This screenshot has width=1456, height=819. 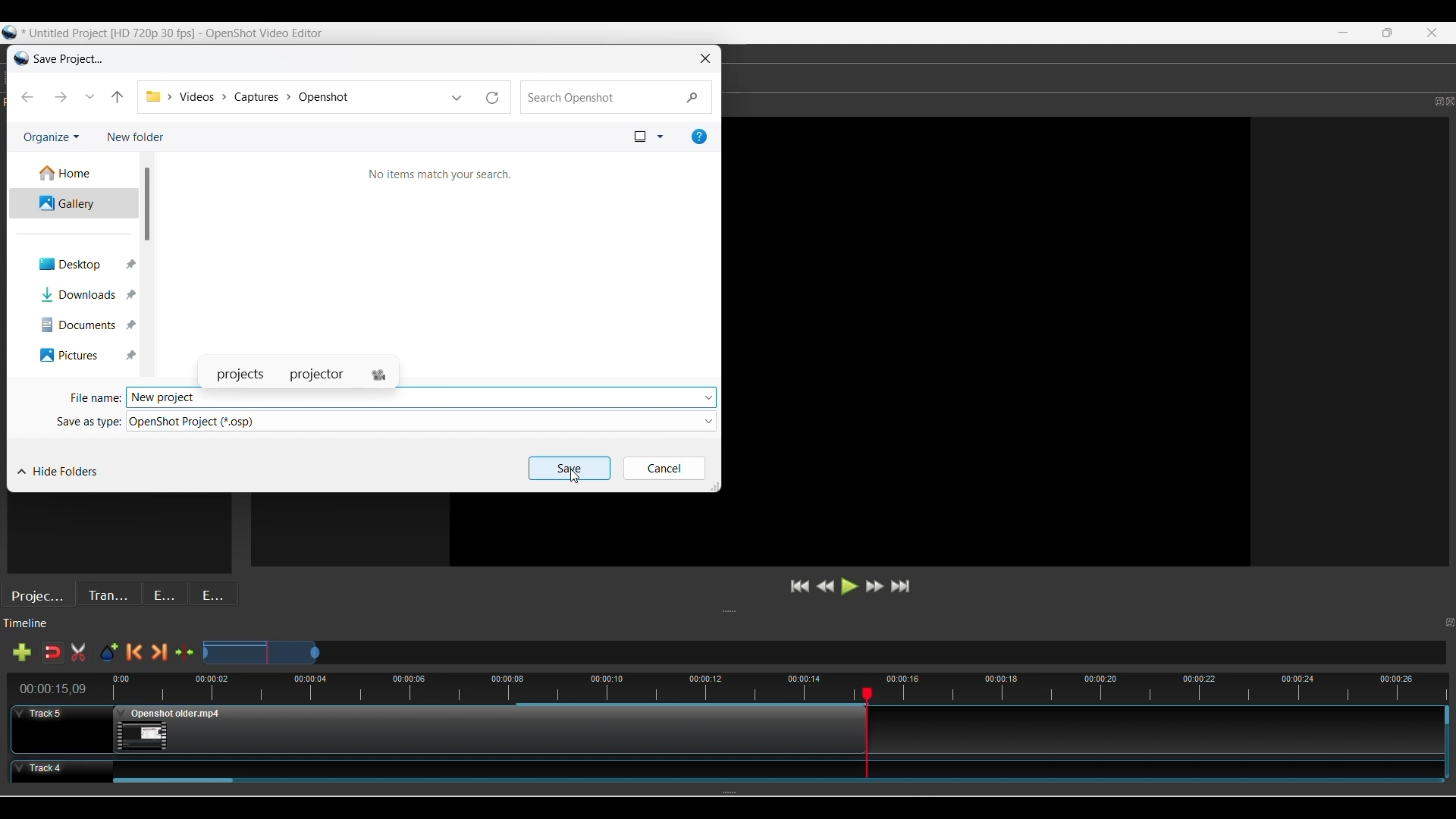 I want to click on Hide folders currently visible, so click(x=58, y=472).